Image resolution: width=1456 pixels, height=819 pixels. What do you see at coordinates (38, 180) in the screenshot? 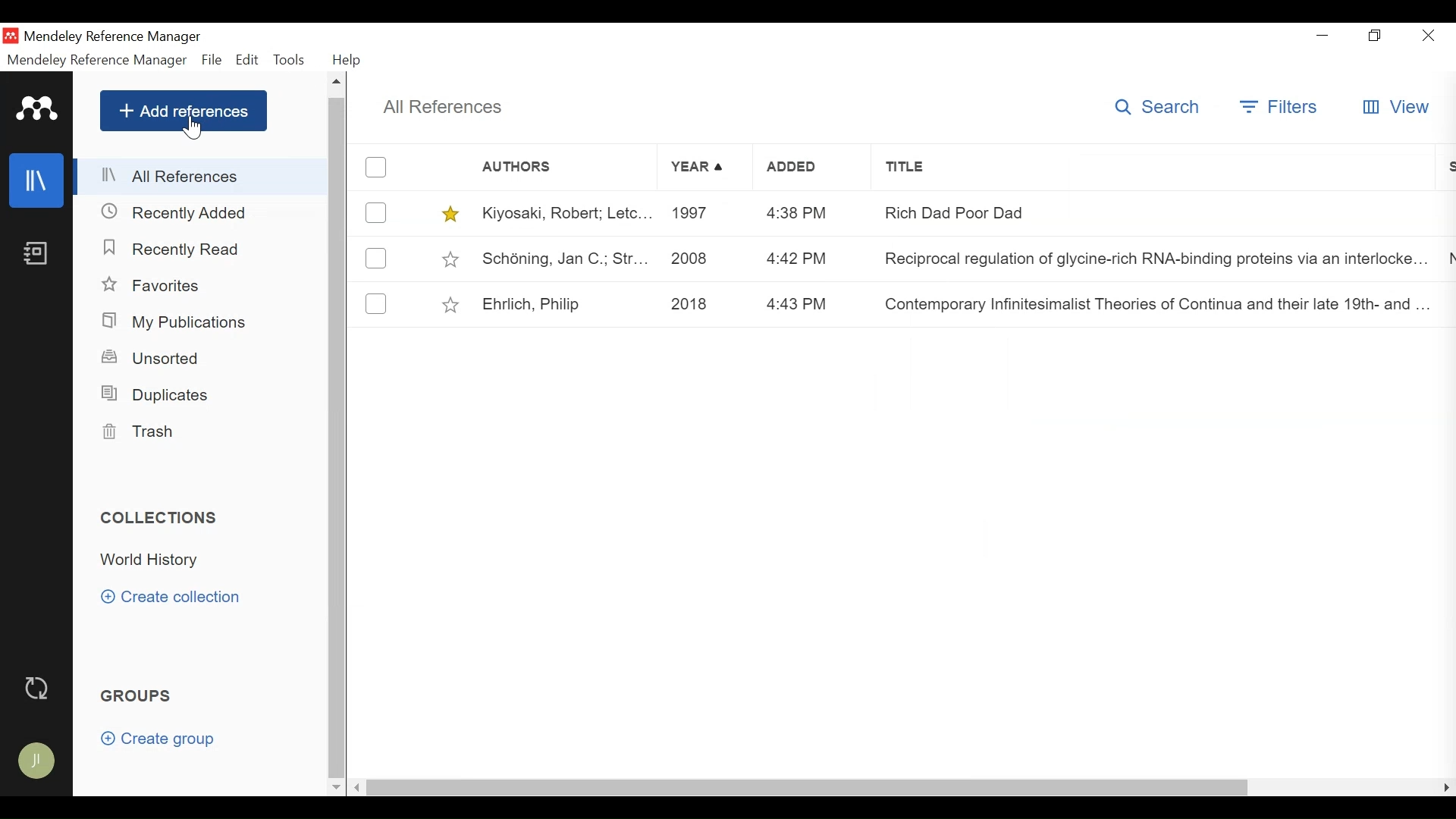
I see `Library` at bounding box center [38, 180].